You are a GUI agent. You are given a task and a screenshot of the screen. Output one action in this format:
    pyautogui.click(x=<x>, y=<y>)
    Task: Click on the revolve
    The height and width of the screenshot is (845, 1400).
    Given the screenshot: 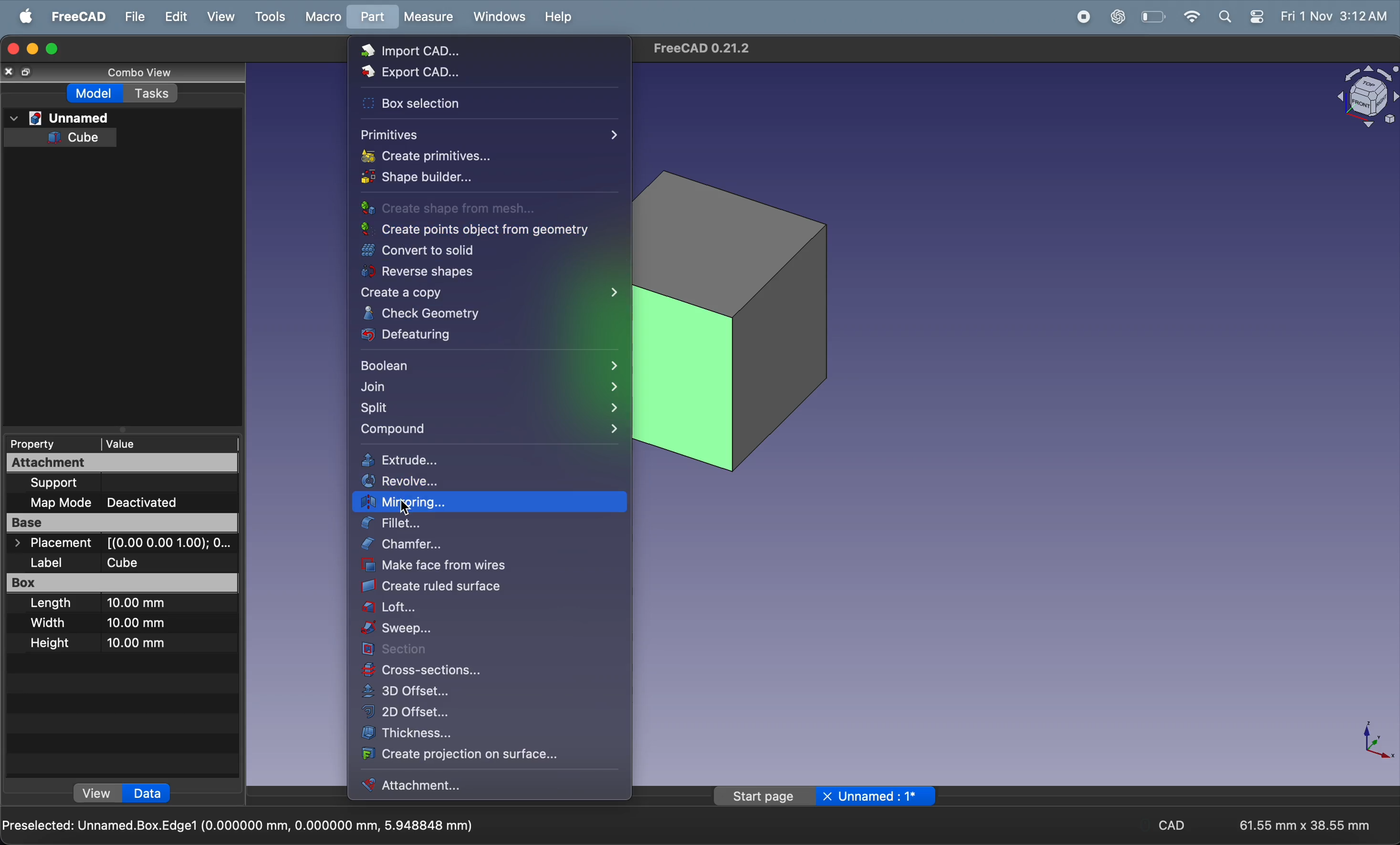 What is the action you would take?
    pyautogui.click(x=478, y=482)
    